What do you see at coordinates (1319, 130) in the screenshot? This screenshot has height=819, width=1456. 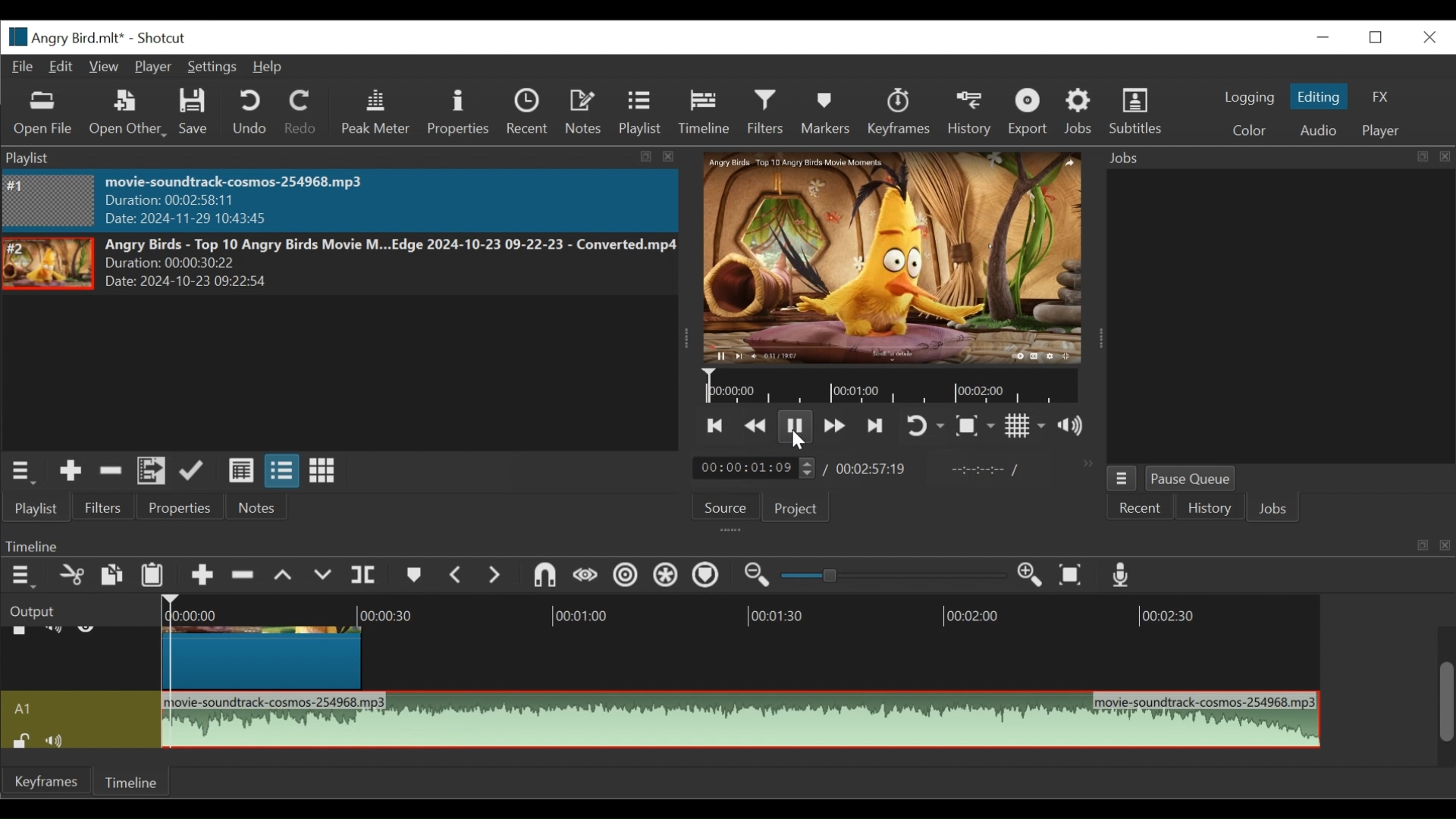 I see `Audio` at bounding box center [1319, 130].